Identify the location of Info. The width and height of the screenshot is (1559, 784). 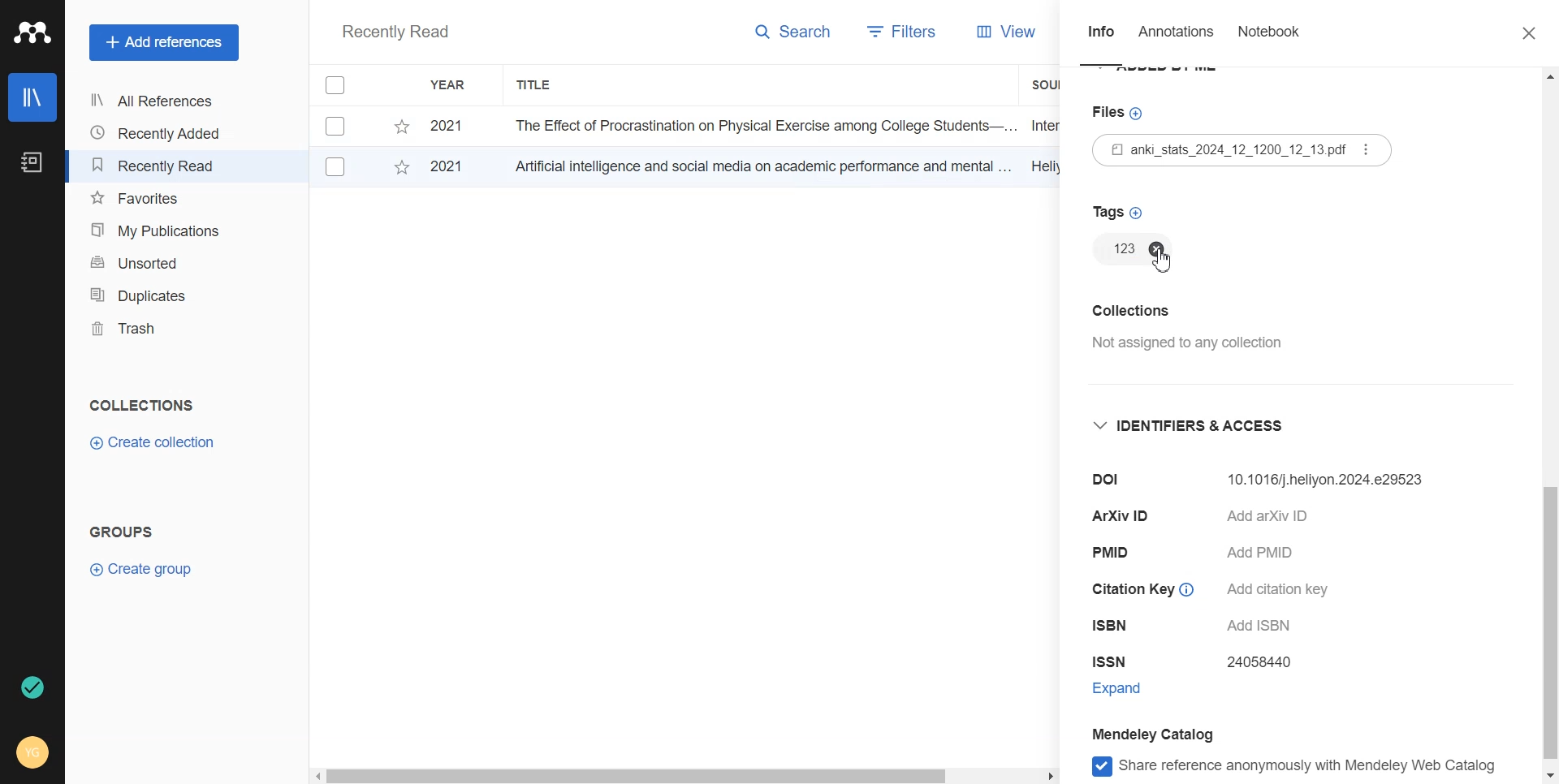
(1101, 37).